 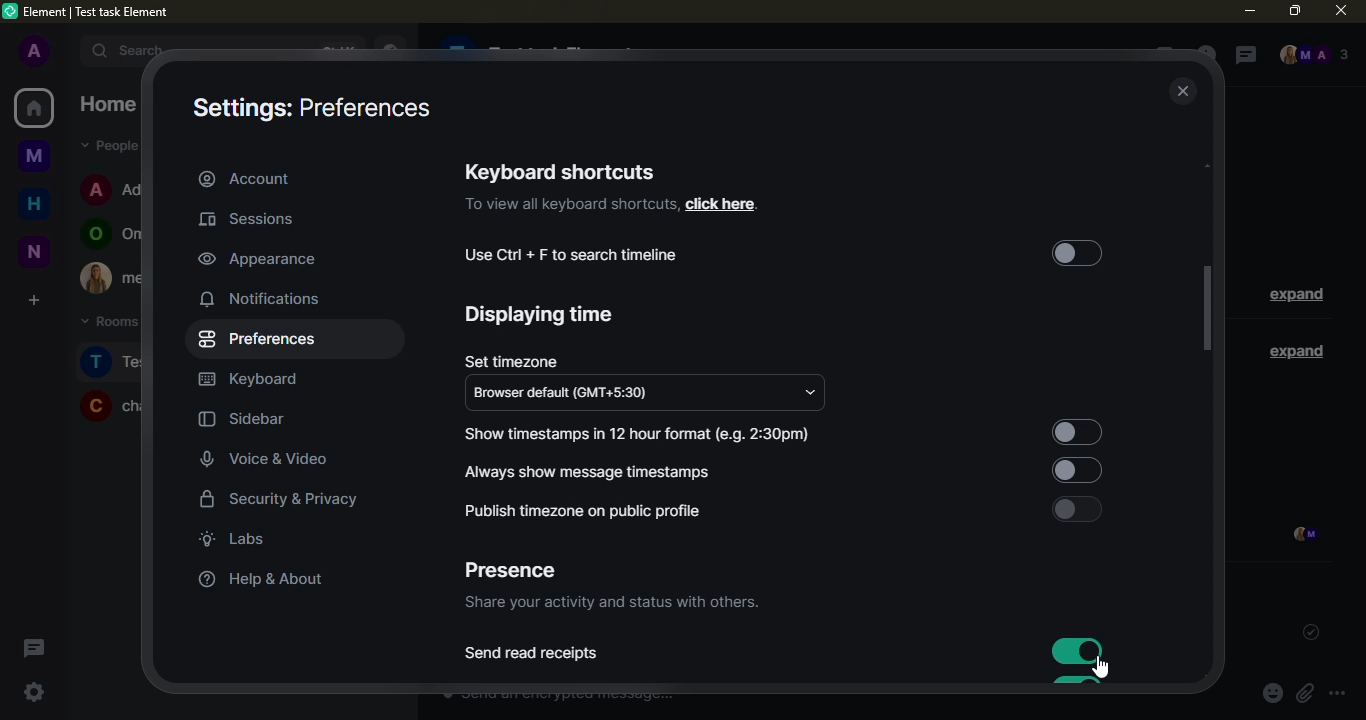 I want to click on browser default, so click(x=569, y=394).